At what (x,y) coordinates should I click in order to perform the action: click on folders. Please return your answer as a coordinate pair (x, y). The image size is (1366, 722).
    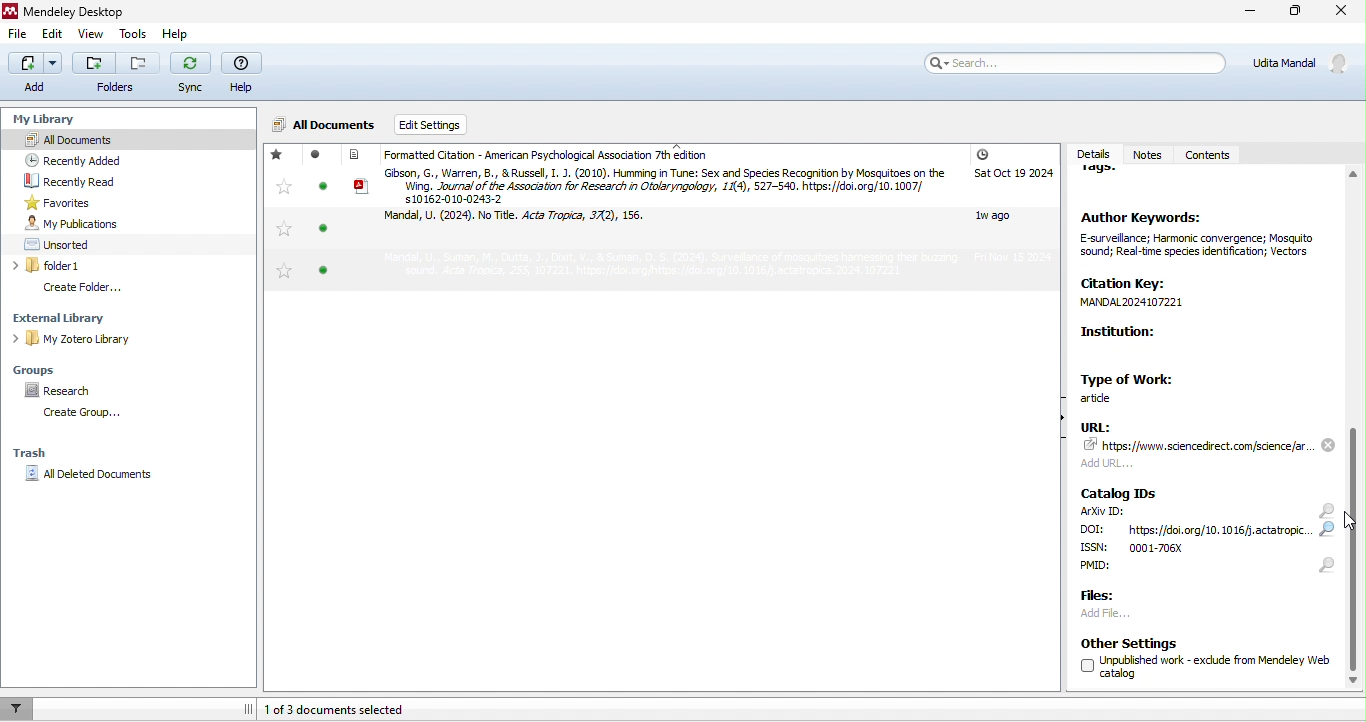
    Looking at the image, I should click on (117, 75).